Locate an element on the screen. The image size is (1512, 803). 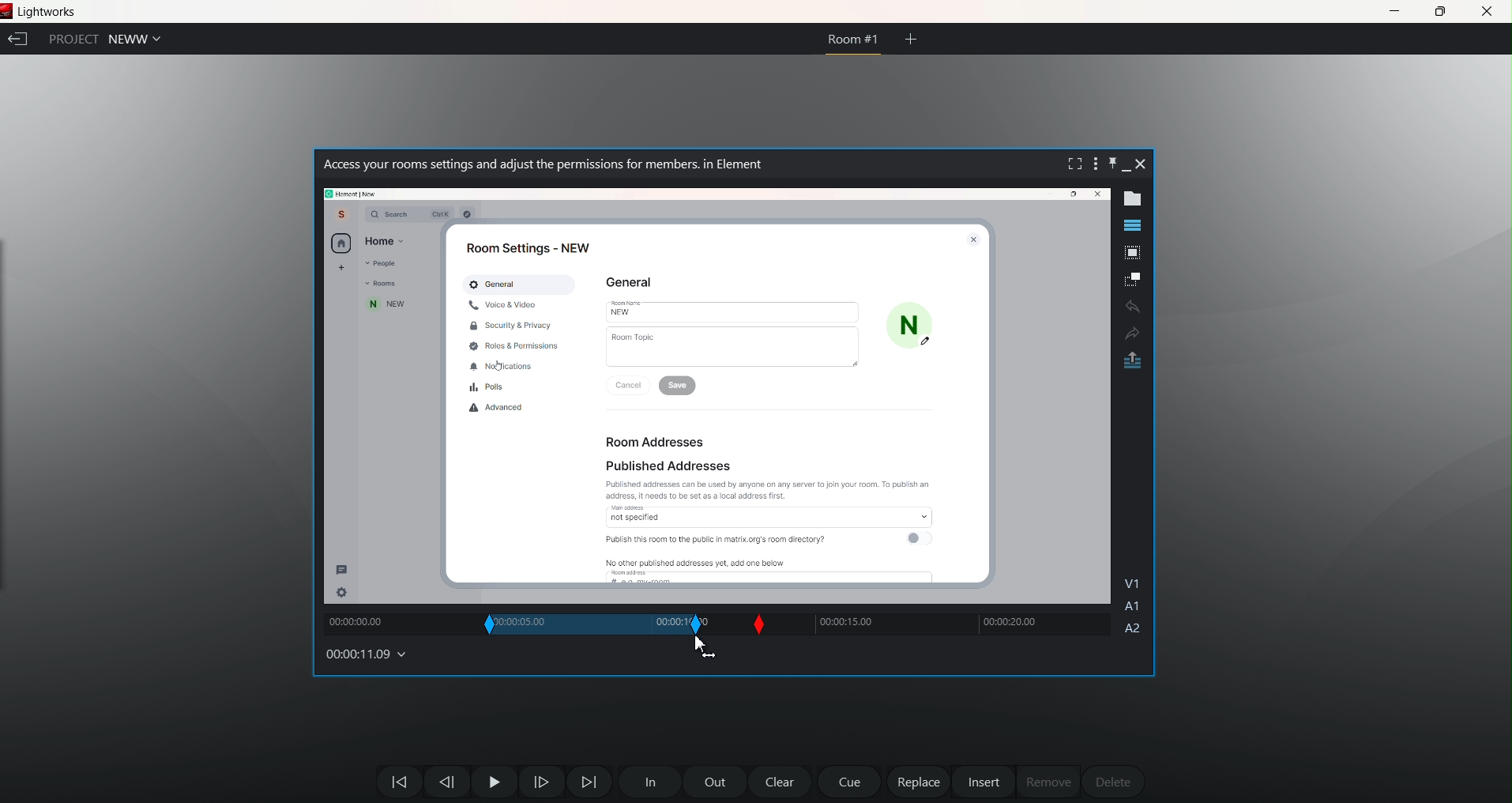
Room #1 is located at coordinates (853, 43).